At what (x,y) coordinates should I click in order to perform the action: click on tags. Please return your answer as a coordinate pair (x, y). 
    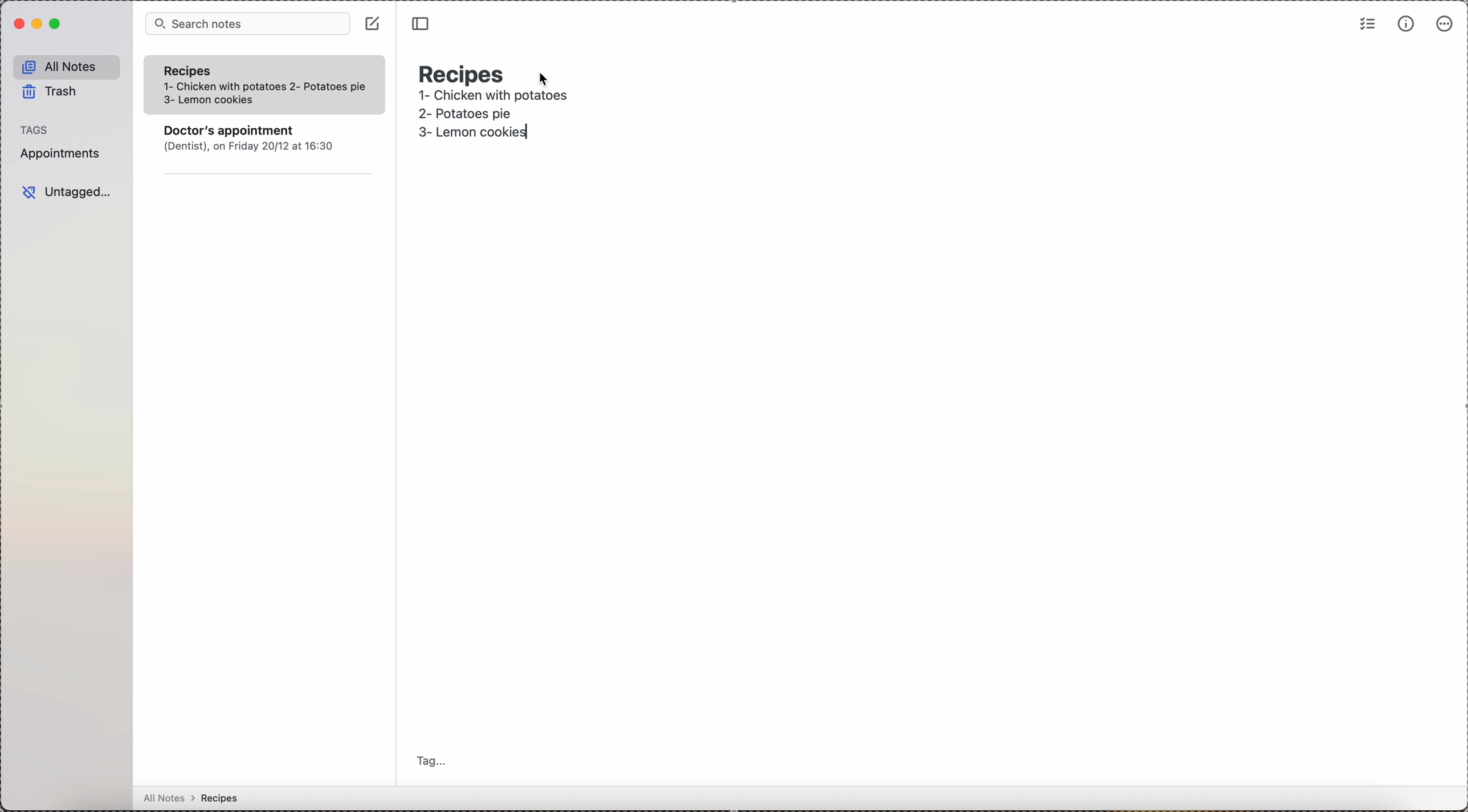
    Looking at the image, I should click on (34, 128).